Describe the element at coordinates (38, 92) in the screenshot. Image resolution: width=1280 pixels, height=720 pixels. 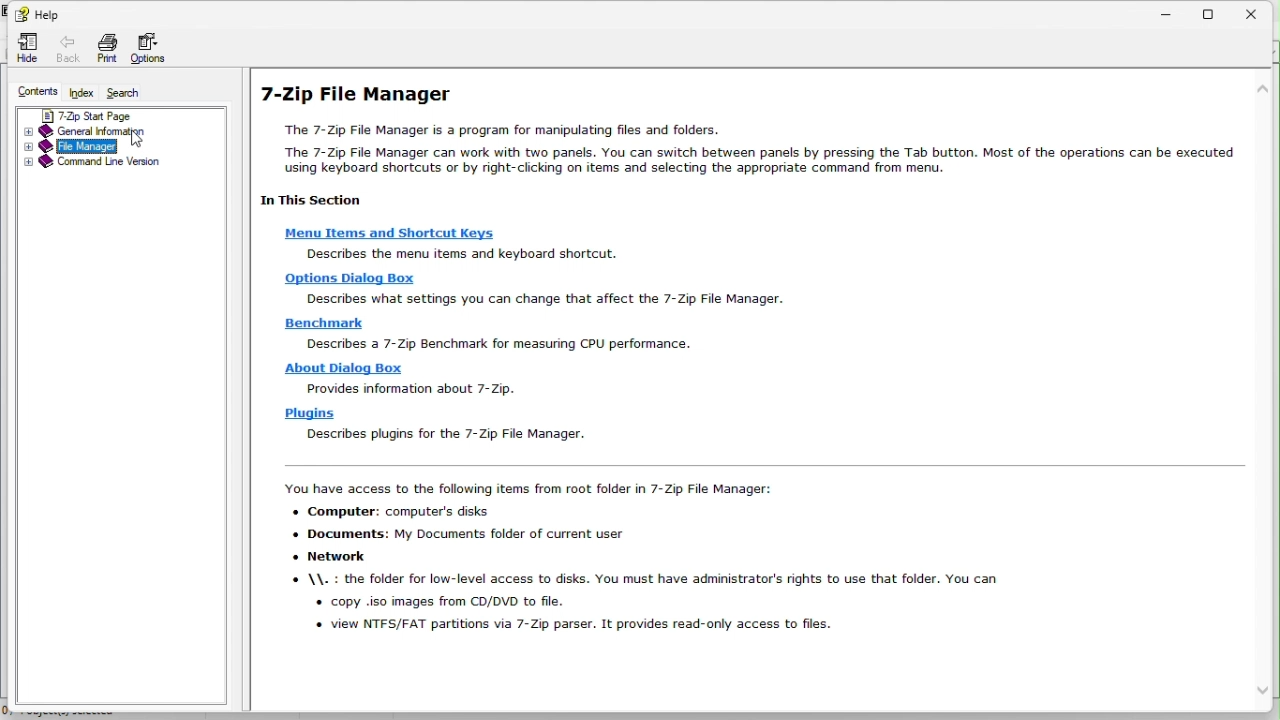
I see `Contents` at that location.